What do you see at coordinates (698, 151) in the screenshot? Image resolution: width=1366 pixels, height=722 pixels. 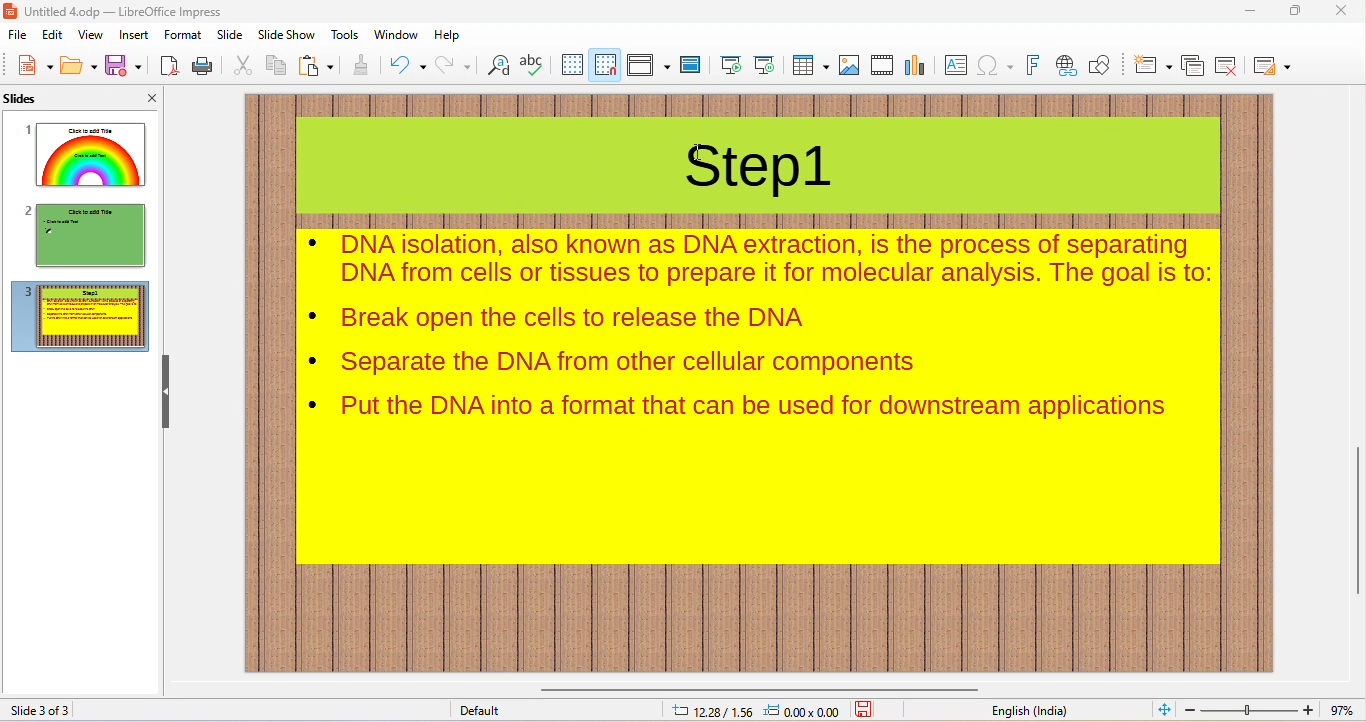 I see `cursor` at bounding box center [698, 151].